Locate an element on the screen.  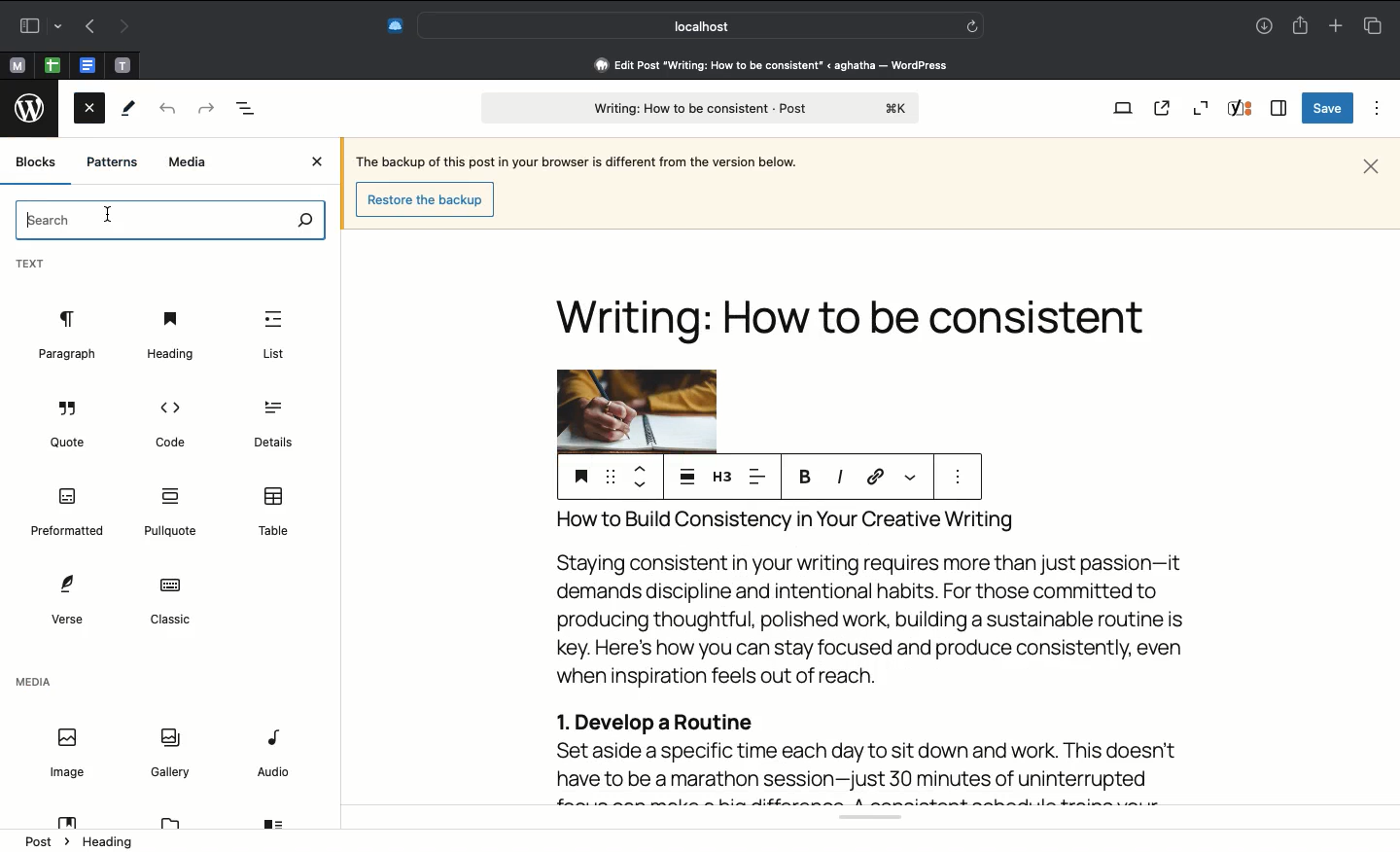
URL is located at coordinates (874, 478).